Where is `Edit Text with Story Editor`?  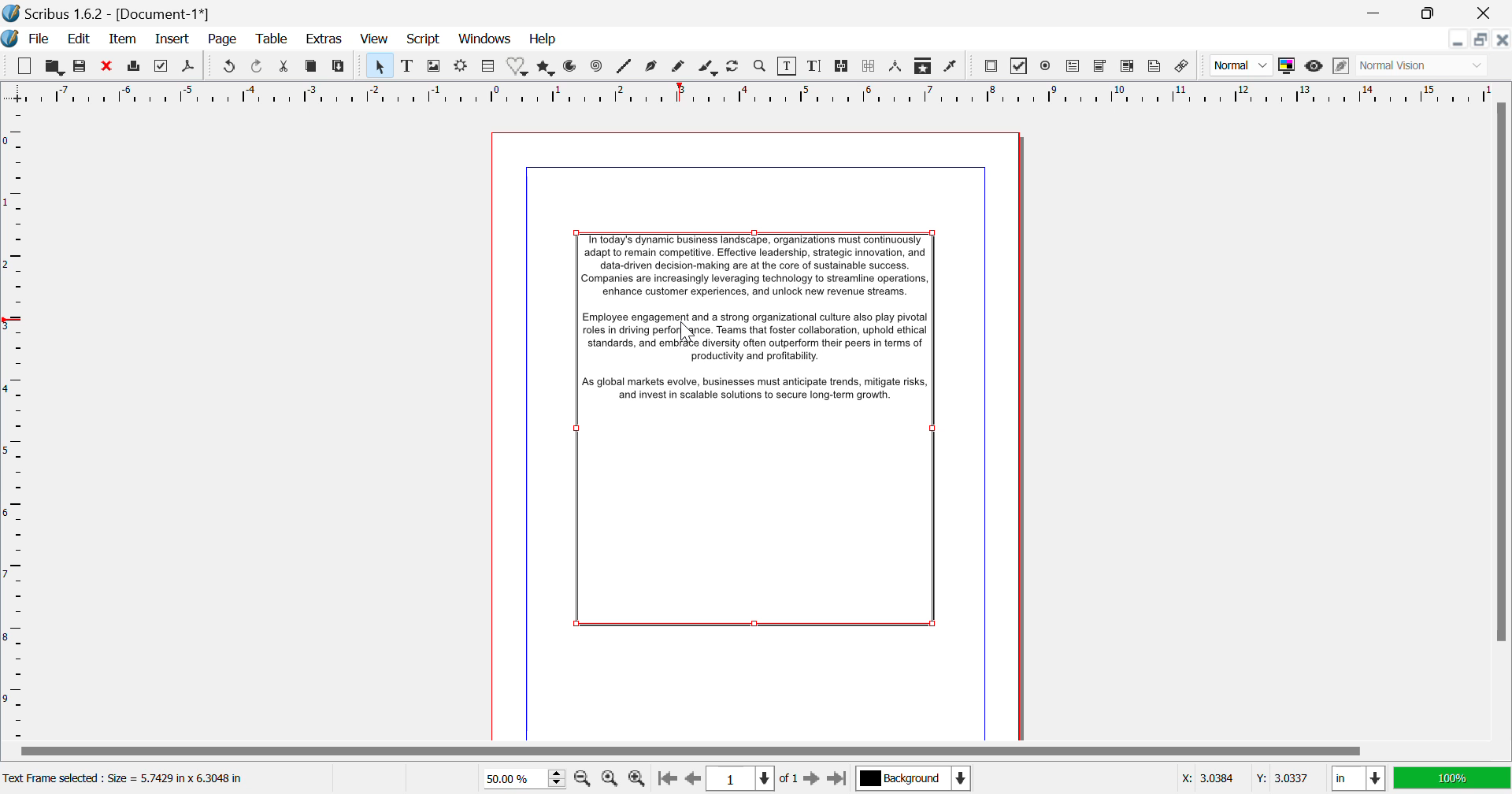 Edit Text with Story Editor is located at coordinates (817, 66).